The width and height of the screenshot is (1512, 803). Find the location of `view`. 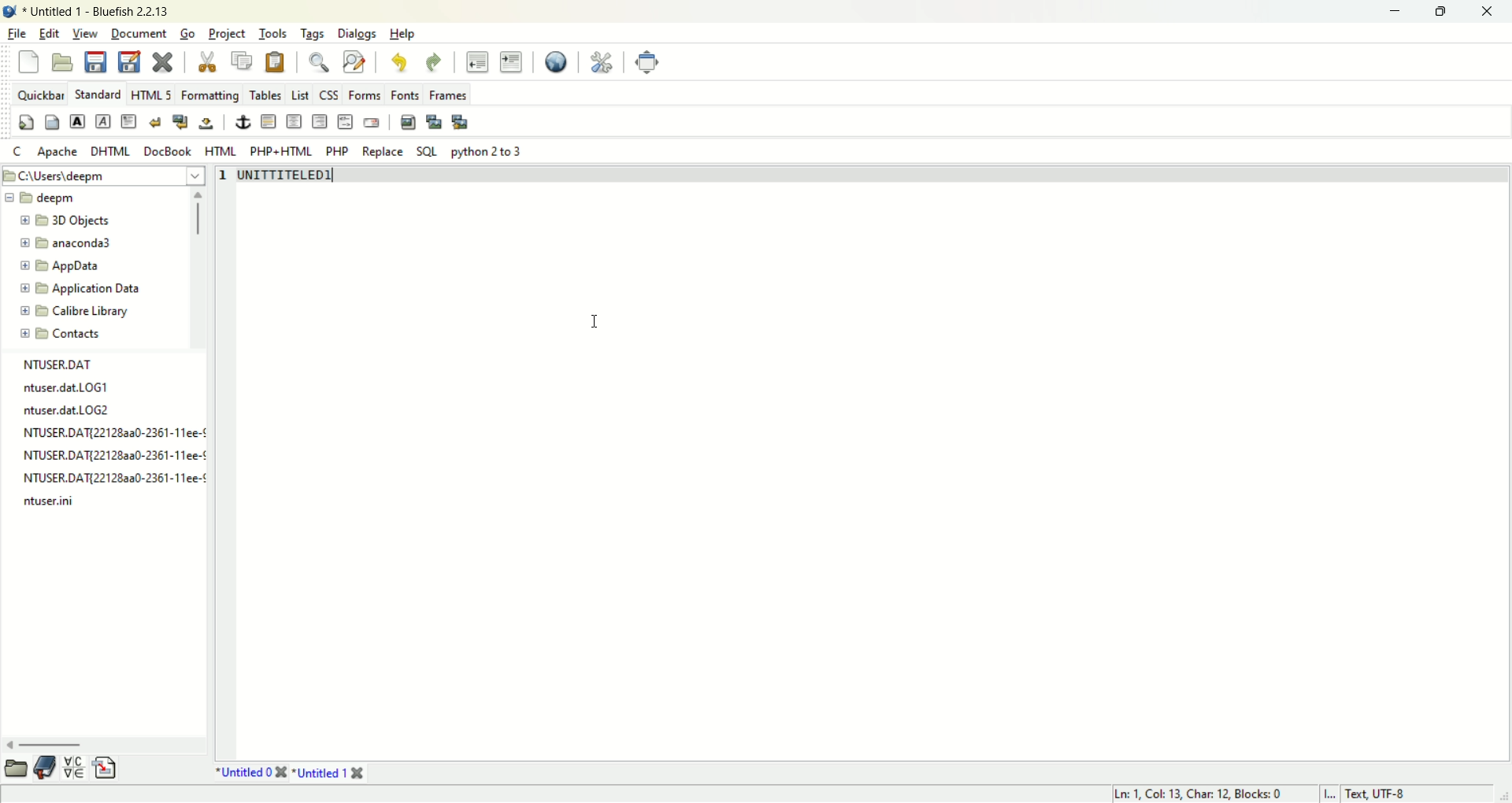

view is located at coordinates (86, 33).